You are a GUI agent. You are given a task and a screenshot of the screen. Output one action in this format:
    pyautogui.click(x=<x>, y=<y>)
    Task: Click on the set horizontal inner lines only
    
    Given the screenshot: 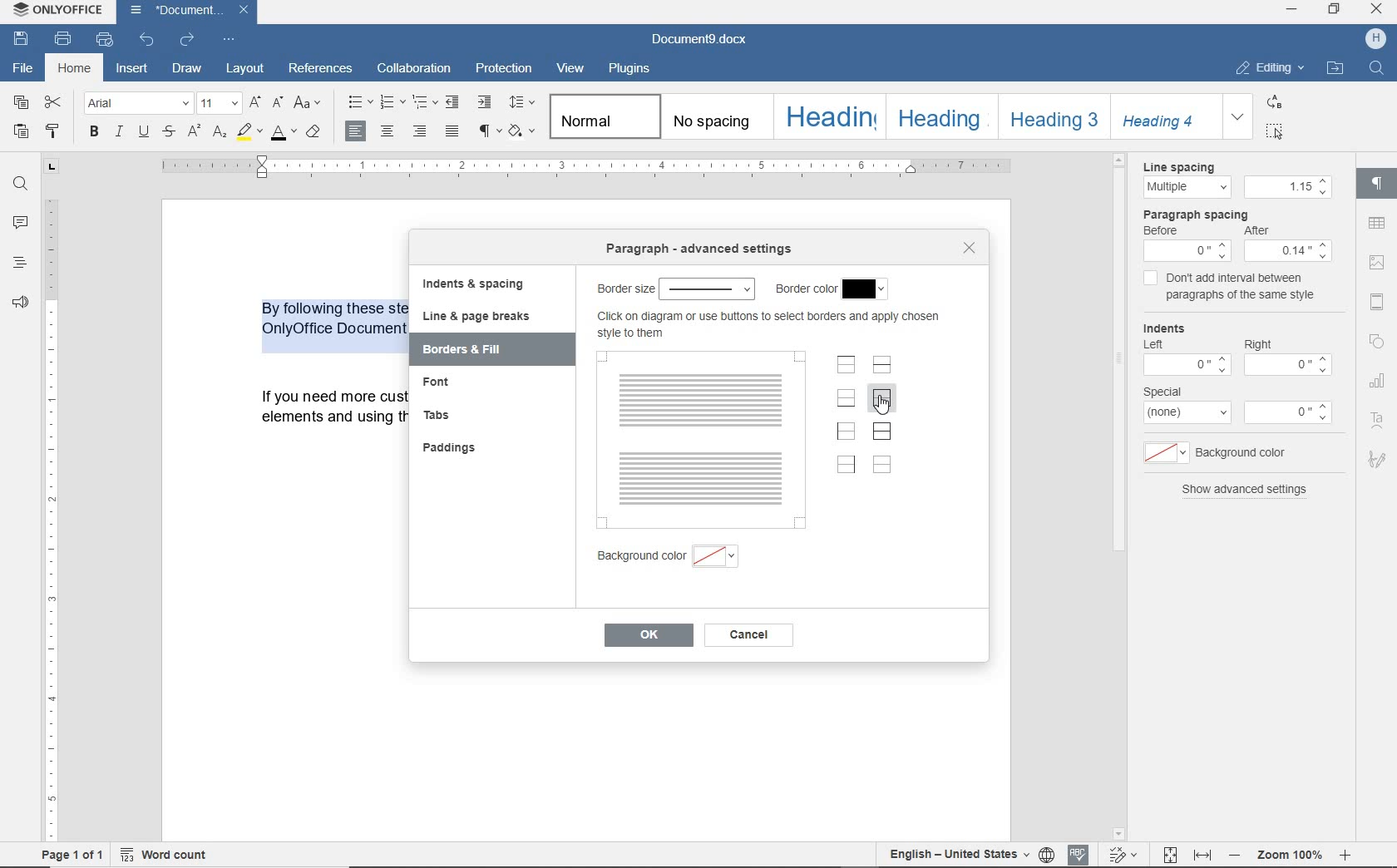 What is the action you would take?
    pyautogui.click(x=882, y=364)
    